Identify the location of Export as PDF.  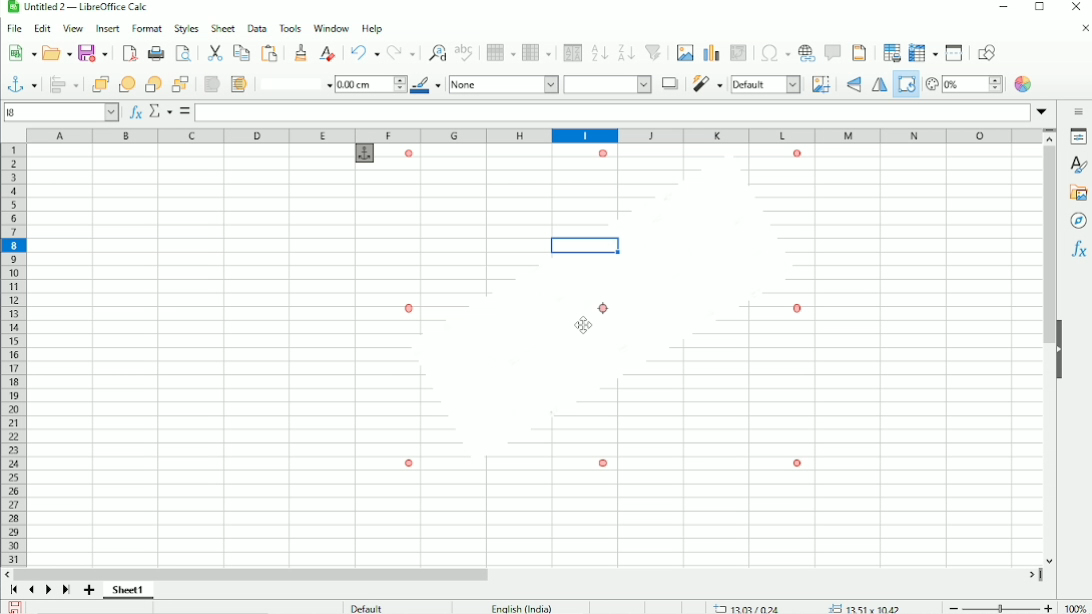
(129, 53).